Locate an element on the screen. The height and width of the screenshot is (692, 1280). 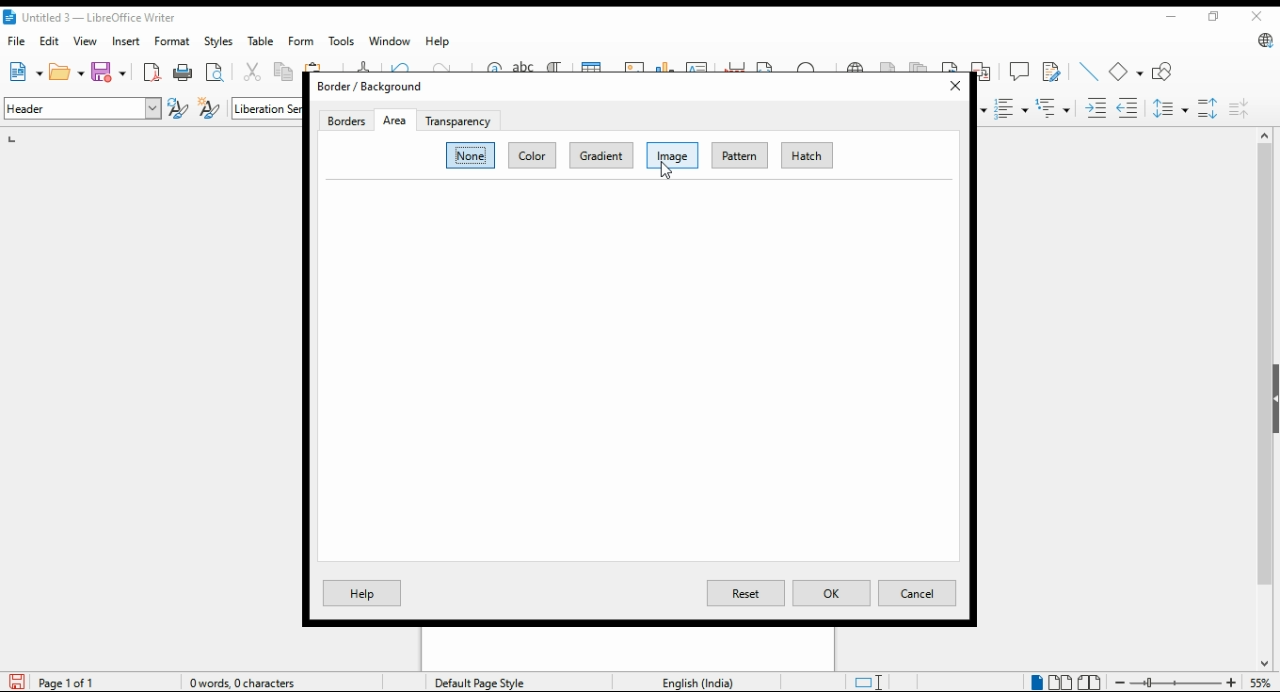
none is located at coordinates (472, 155).